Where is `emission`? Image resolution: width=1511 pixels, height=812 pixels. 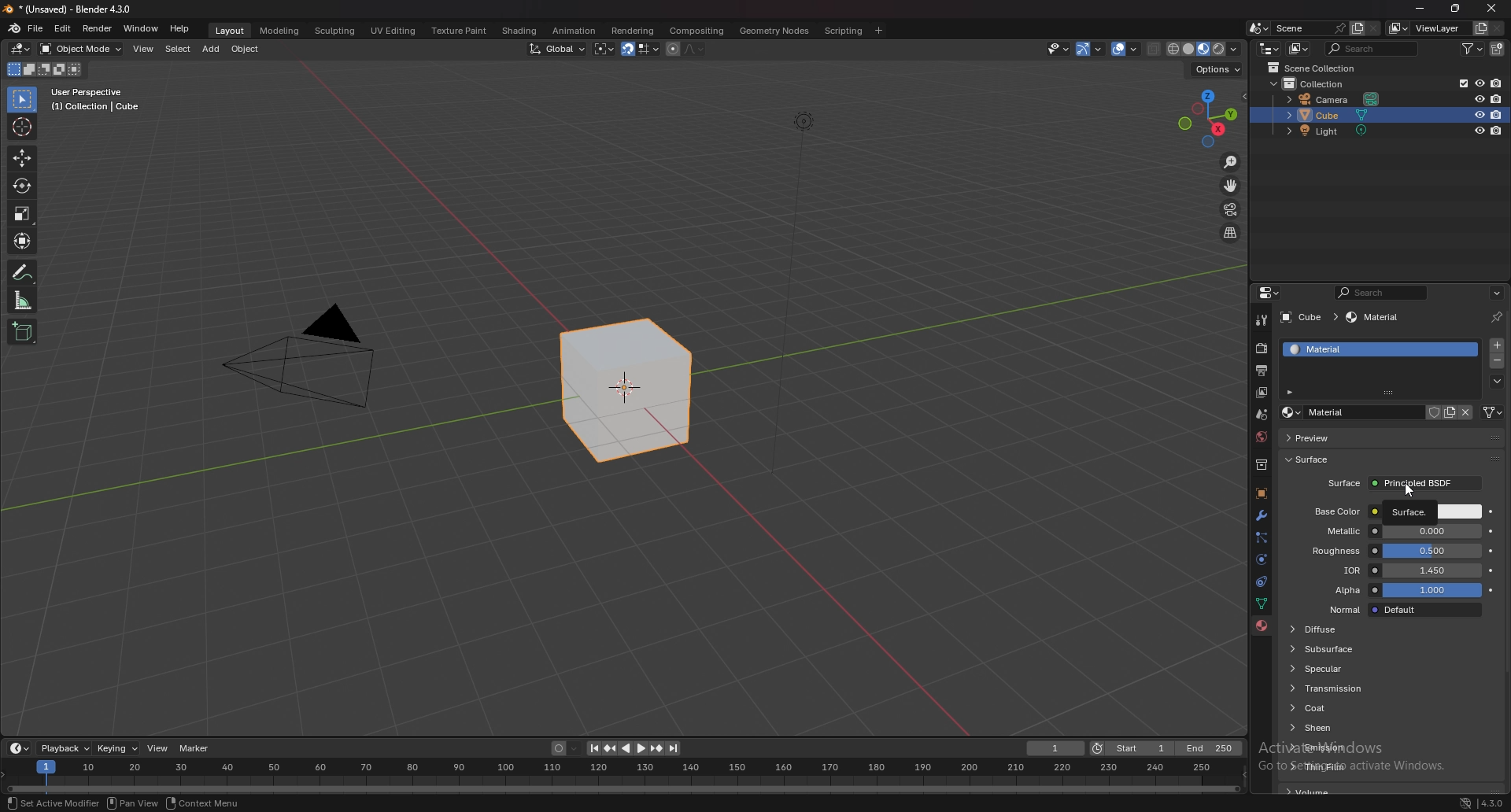
emission is located at coordinates (1353, 746).